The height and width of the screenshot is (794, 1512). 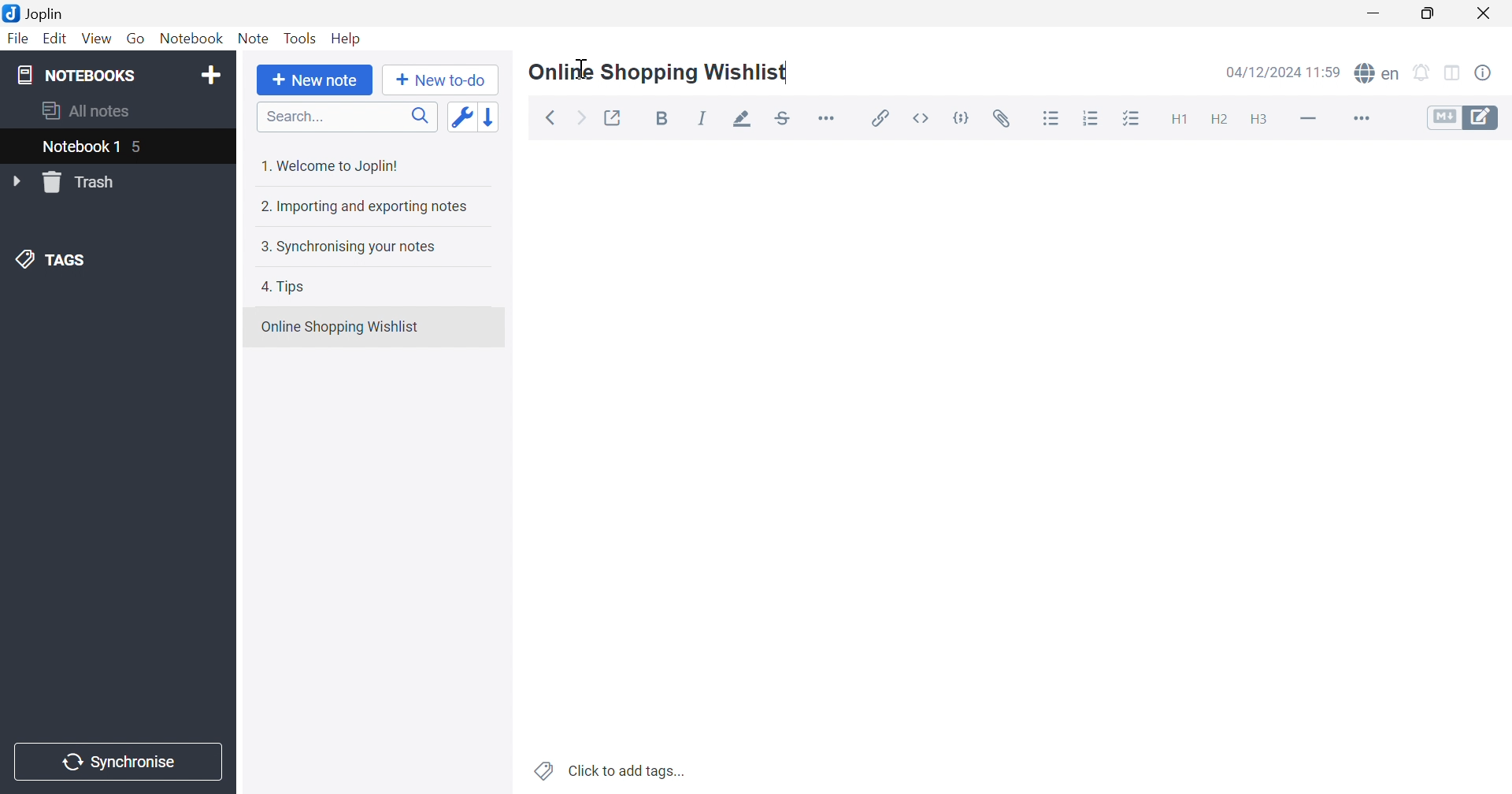 What do you see at coordinates (16, 180) in the screenshot?
I see `Drop Down` at bounding box center [16, 180].